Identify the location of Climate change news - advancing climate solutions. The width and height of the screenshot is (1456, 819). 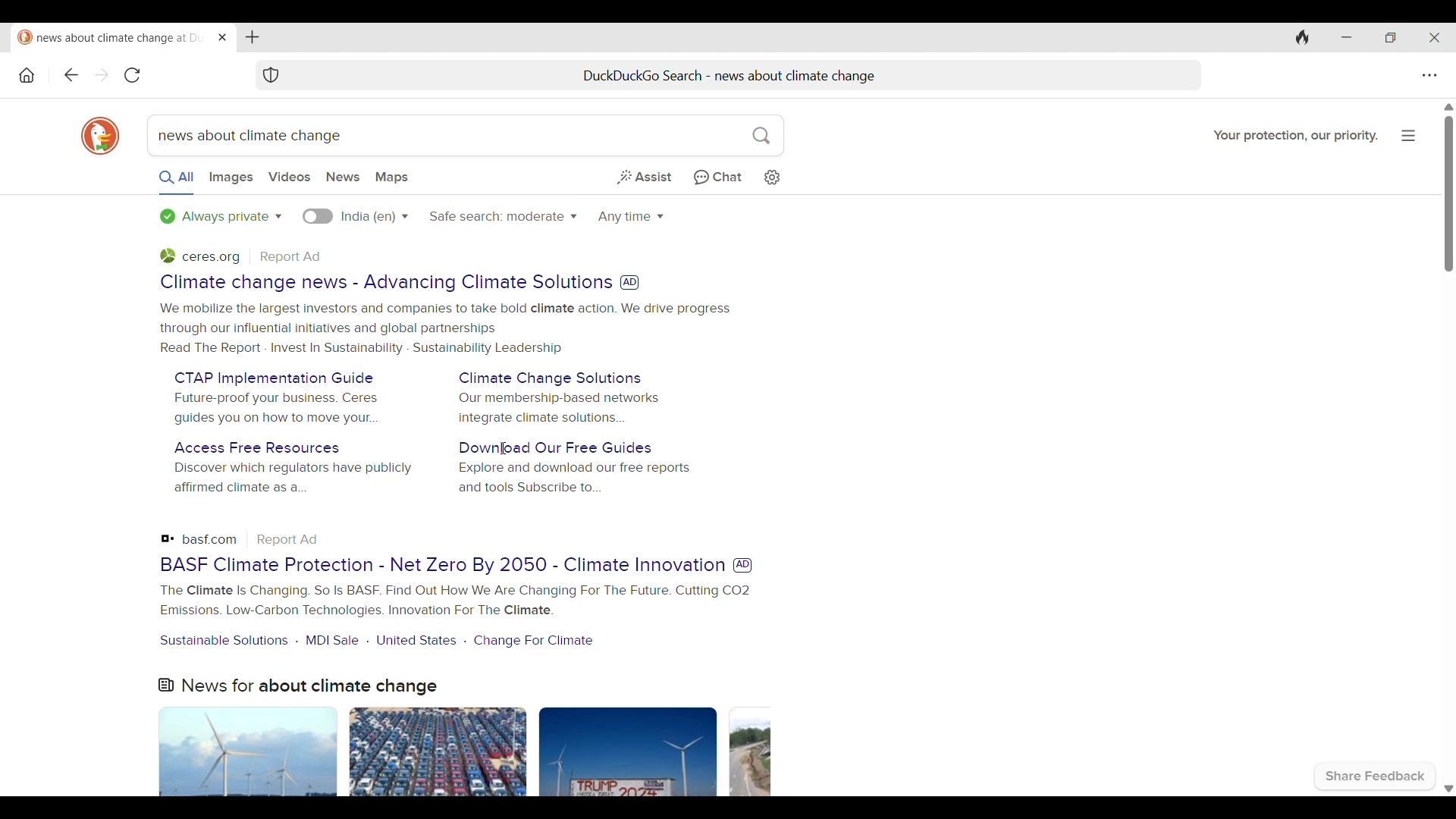
(384, 282).